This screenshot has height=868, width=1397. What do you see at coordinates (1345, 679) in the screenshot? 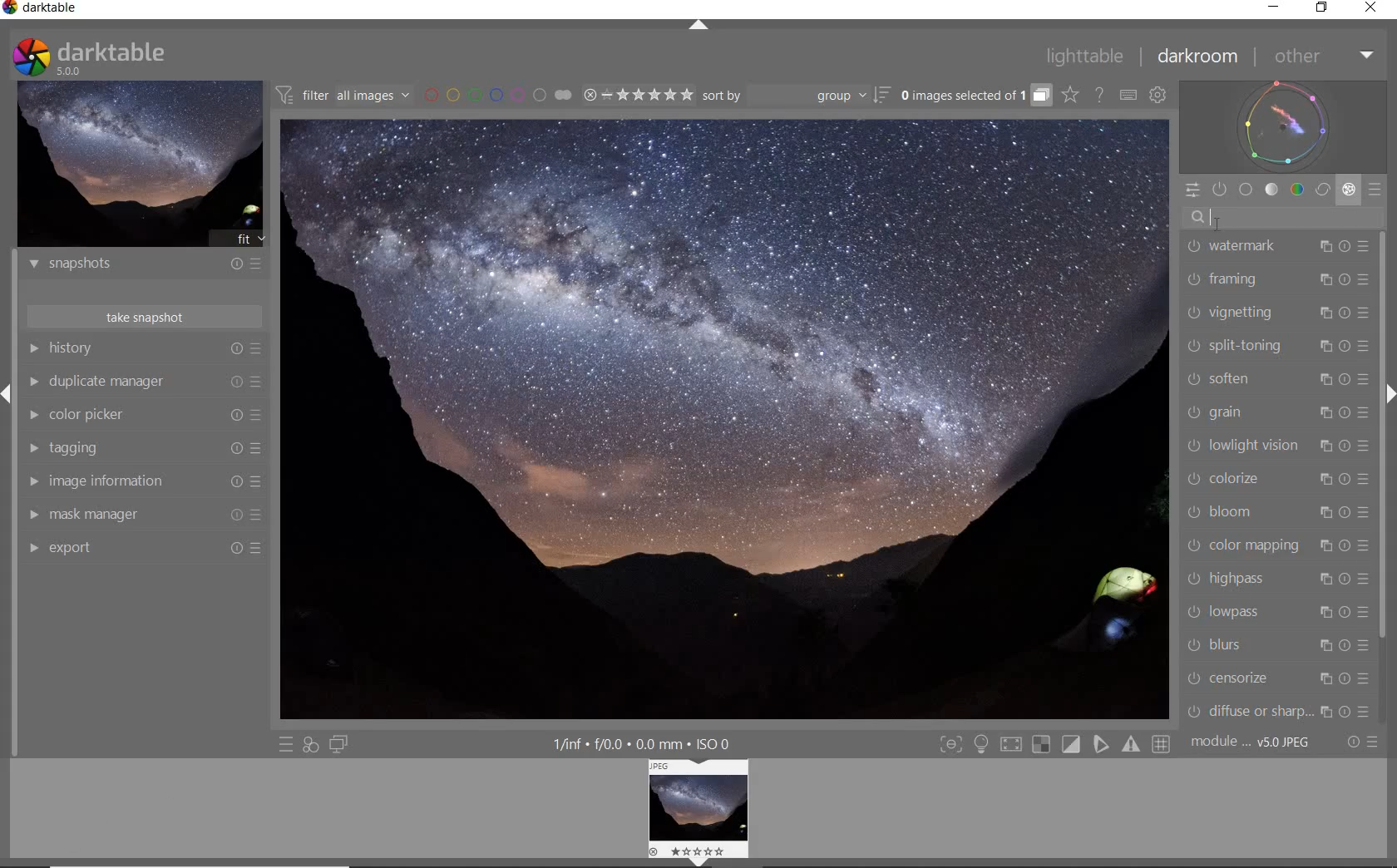
I see `reset parameters` at bounding box center [1345, 679].